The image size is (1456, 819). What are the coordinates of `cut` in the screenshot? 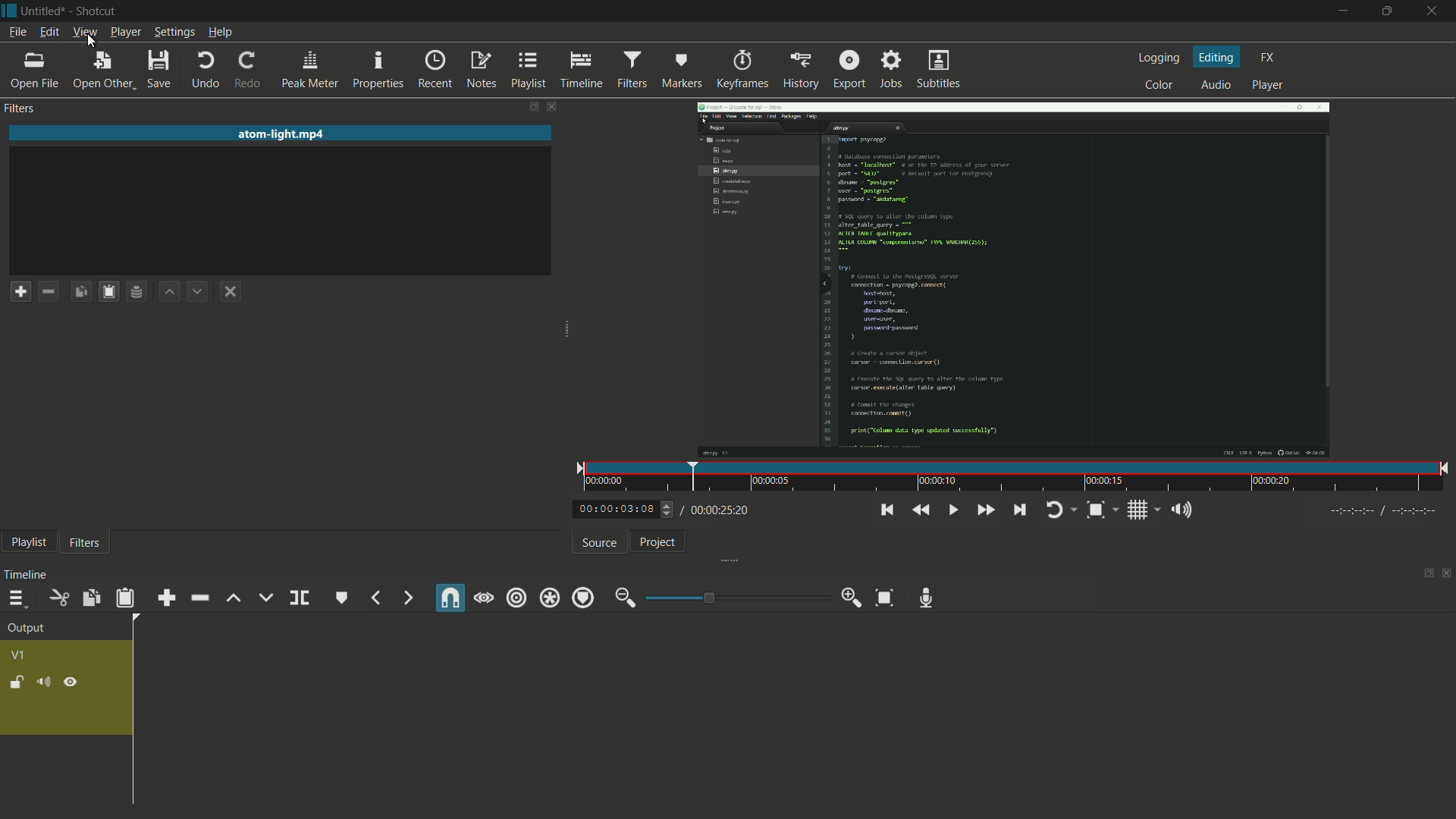 It's located at (60, 598).